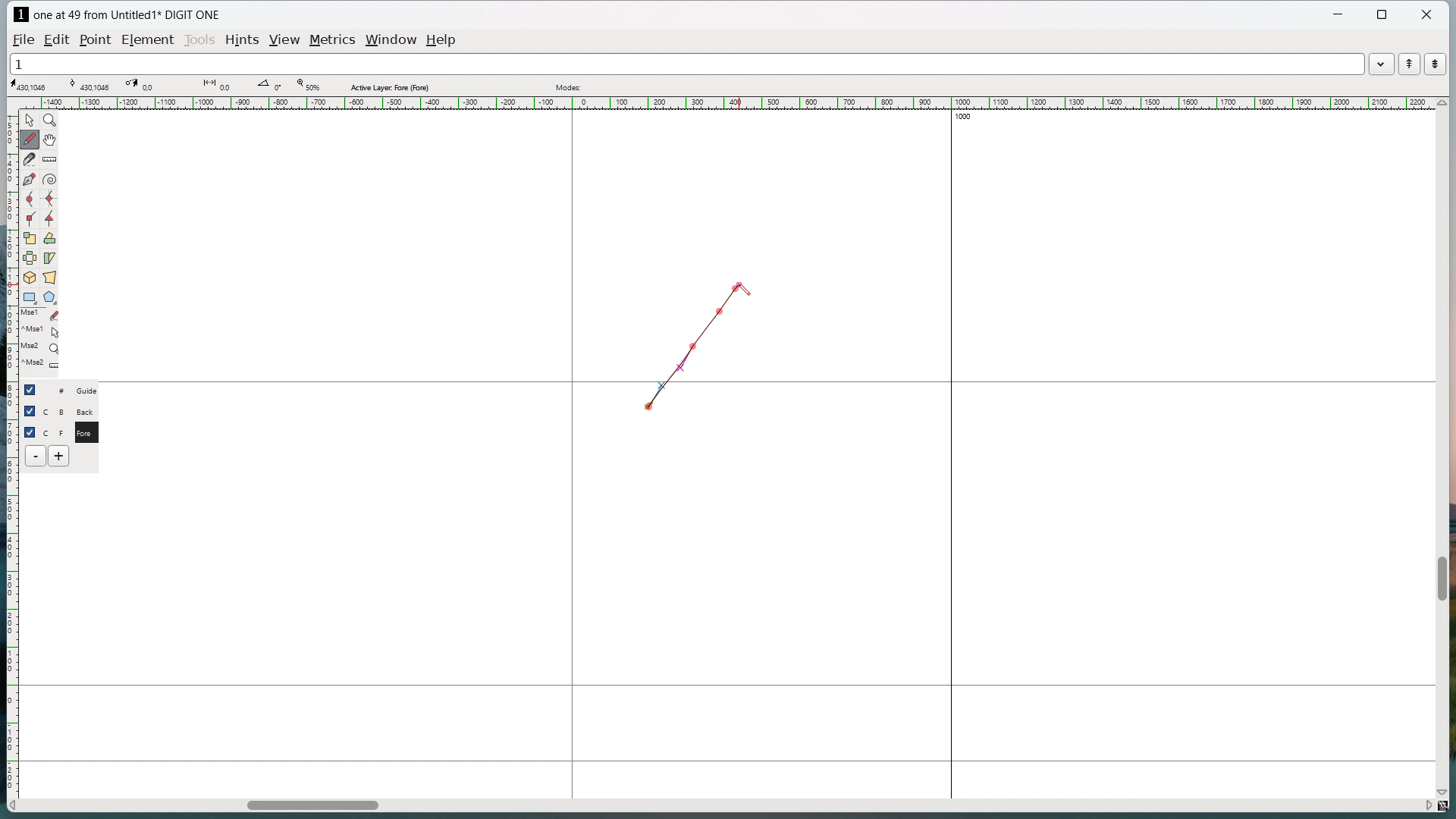 The height and width of the screenshot is (819, 1456). What do you see at coordinates (30, 411) in the screenshot?
I see `checkbox` at bounding box center [30, 411].